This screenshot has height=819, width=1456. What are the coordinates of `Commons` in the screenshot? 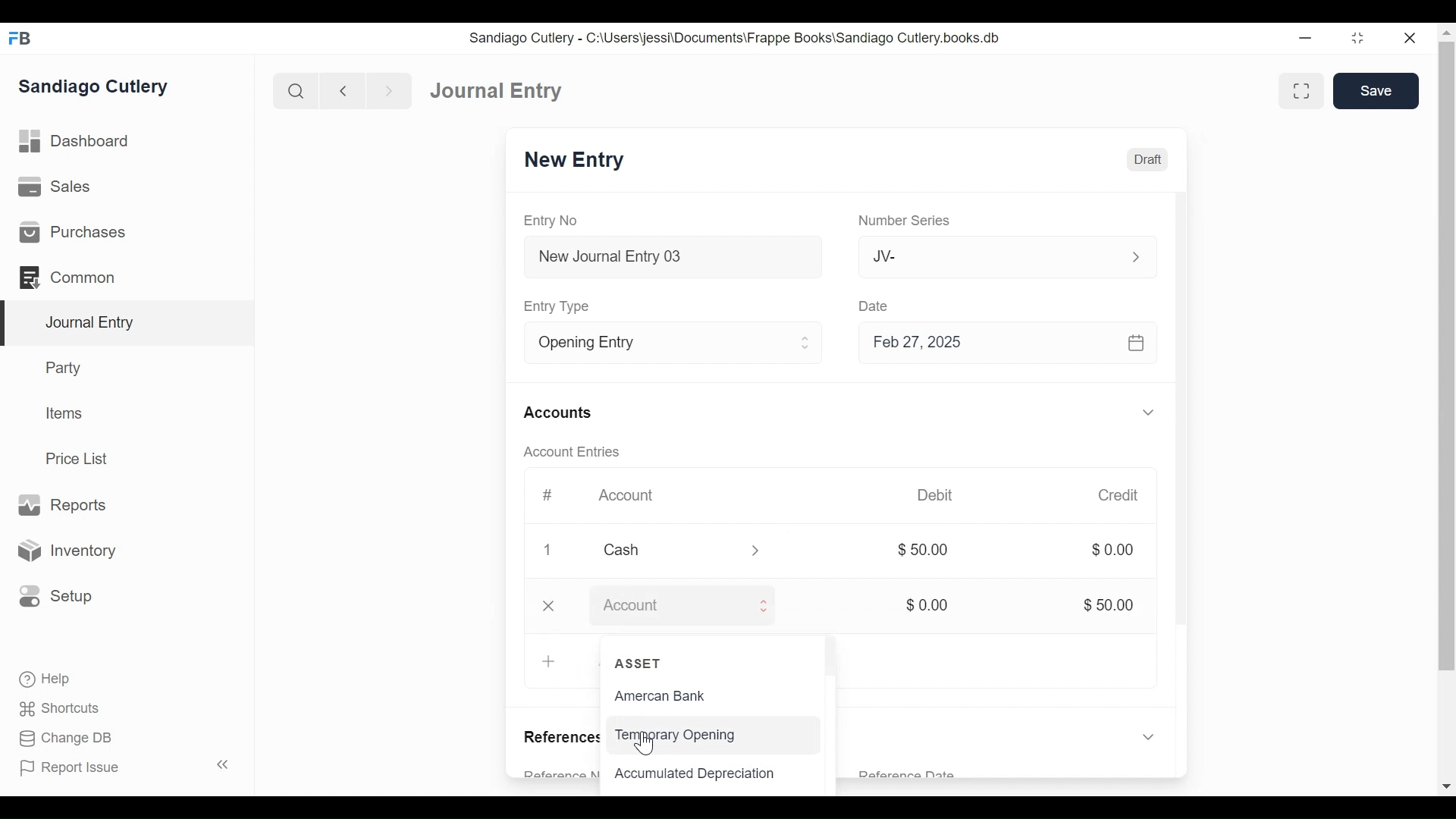 It's located at (66, 277).